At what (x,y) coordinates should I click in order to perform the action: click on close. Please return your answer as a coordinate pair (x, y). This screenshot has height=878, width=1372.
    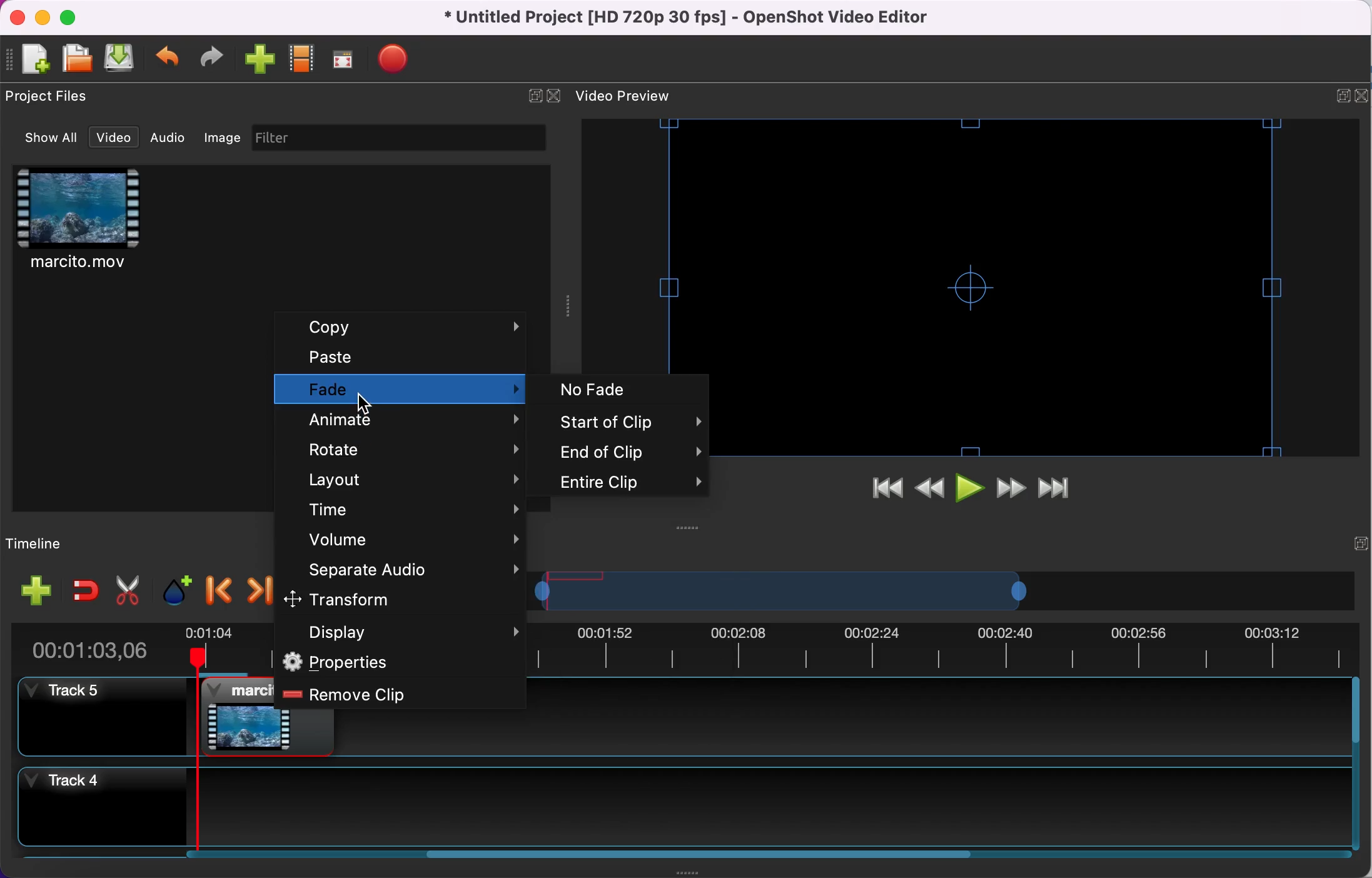
    Looking at the image, I should click on (19, 17).